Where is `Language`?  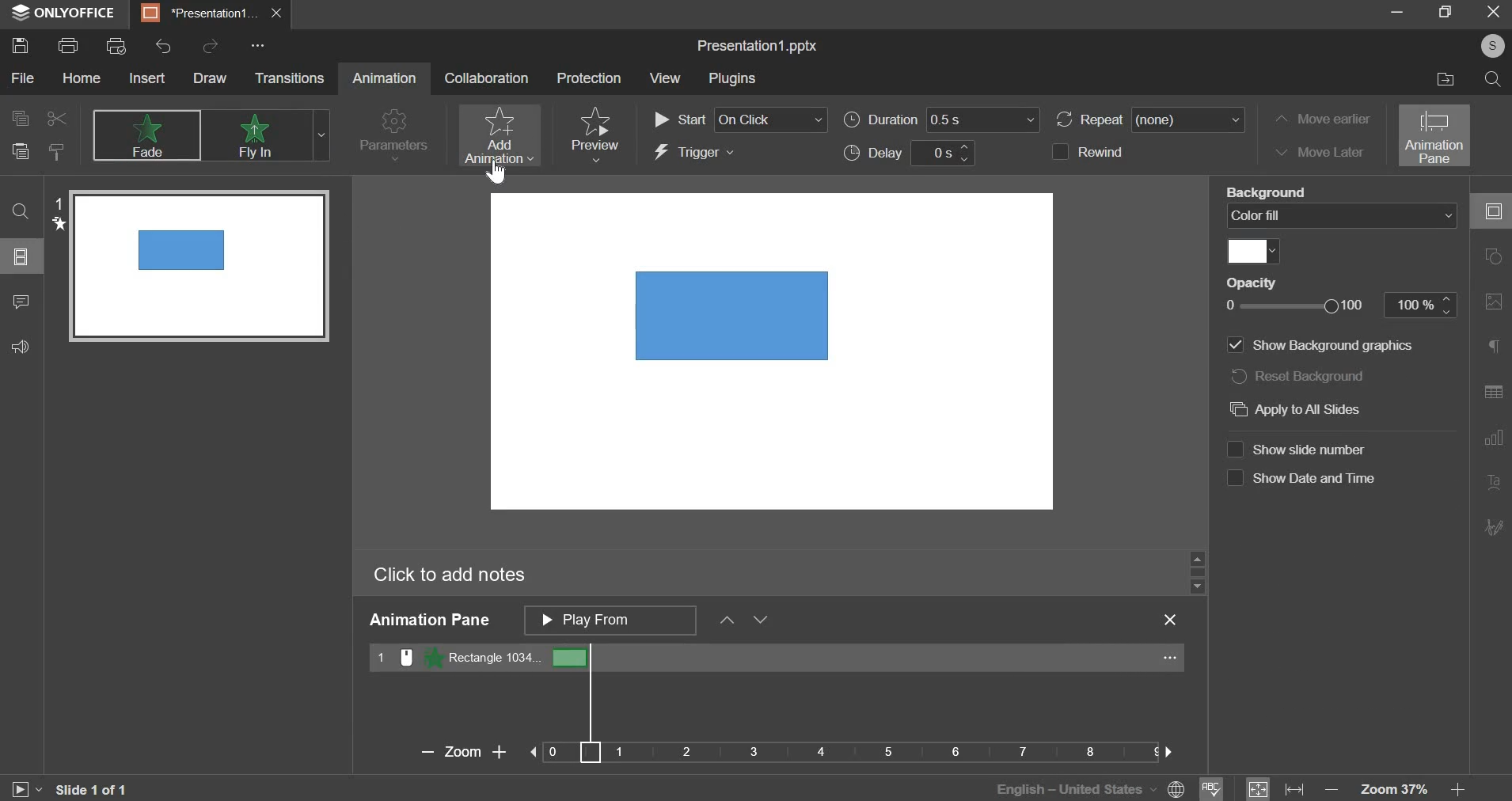
Language is located at coordinates (1176, 788).